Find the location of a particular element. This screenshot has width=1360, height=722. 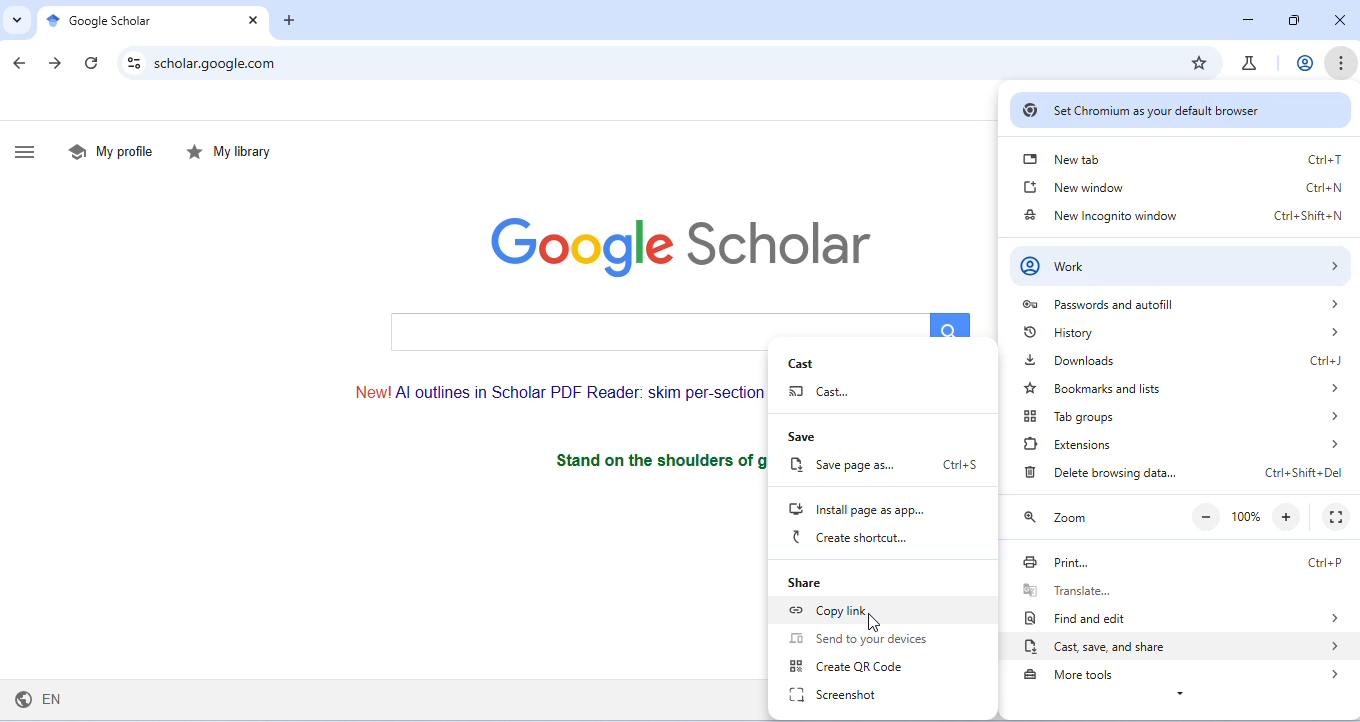

site settings is located at coordinates (136, 62).